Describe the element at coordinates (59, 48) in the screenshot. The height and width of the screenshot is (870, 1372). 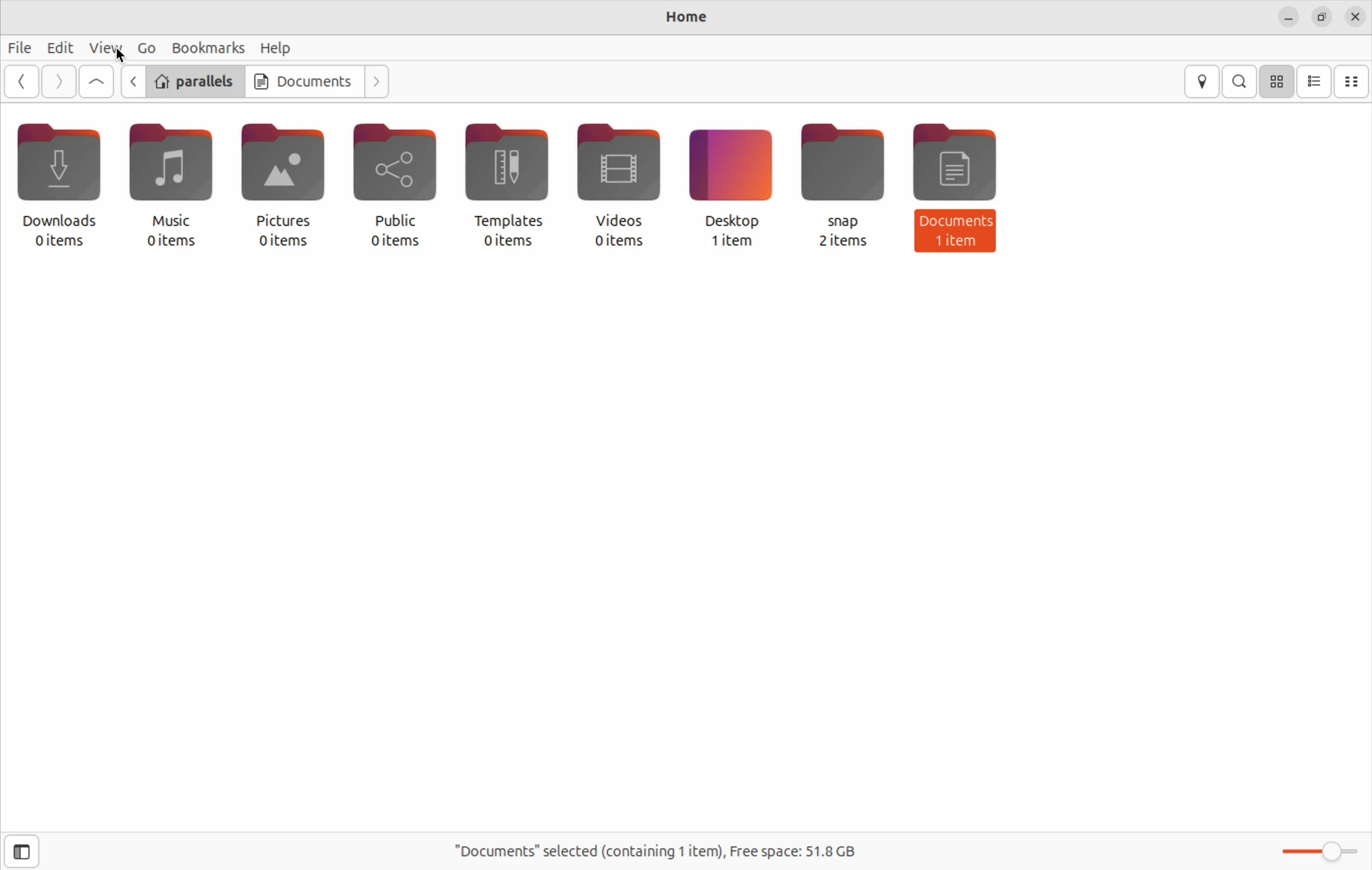
I see `Edit` at that location.